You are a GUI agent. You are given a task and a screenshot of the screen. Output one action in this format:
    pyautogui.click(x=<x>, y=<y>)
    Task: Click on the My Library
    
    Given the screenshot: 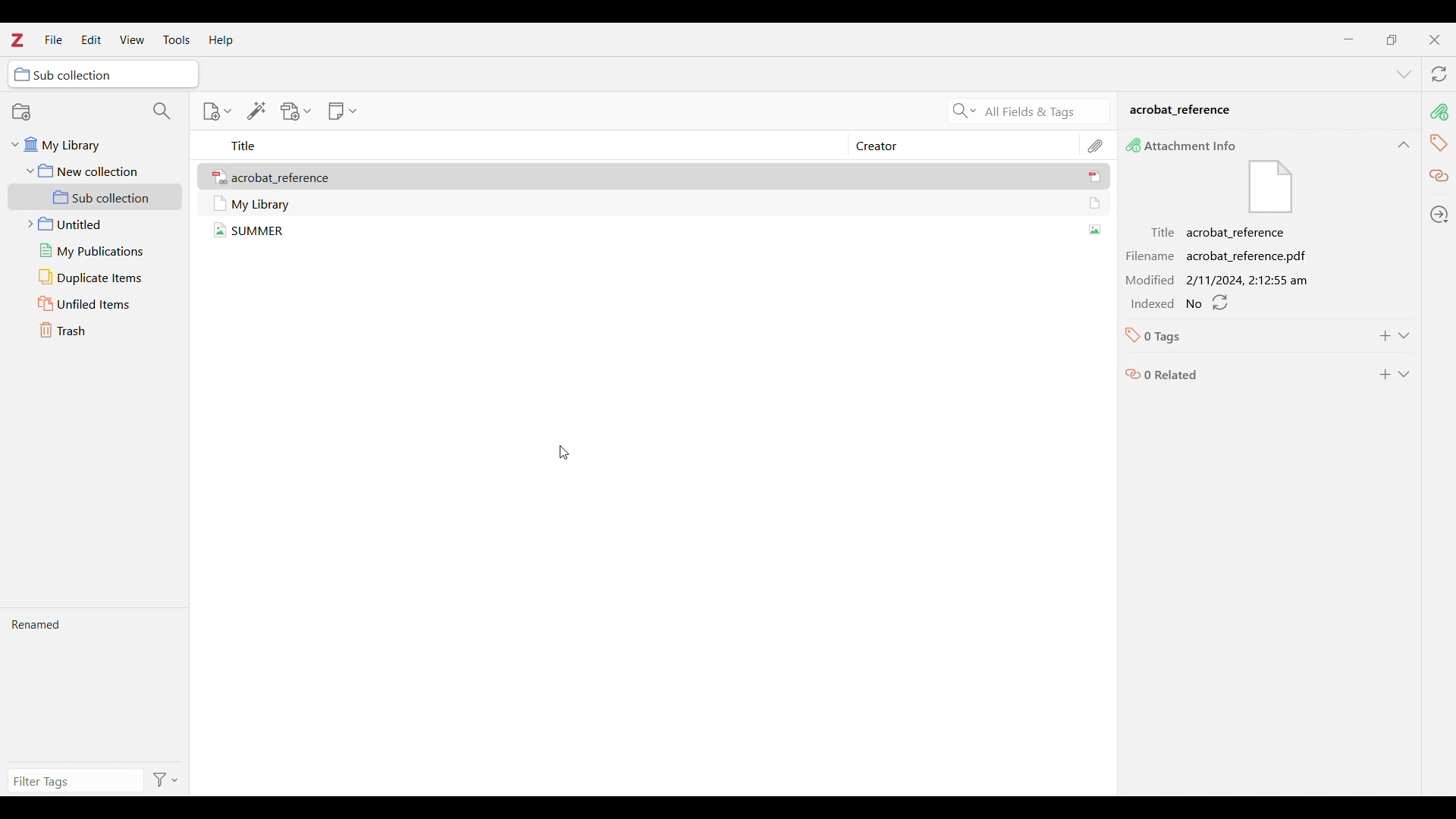 What is the action you would take?
    pyautogui.click(x=1266, y=112)
    